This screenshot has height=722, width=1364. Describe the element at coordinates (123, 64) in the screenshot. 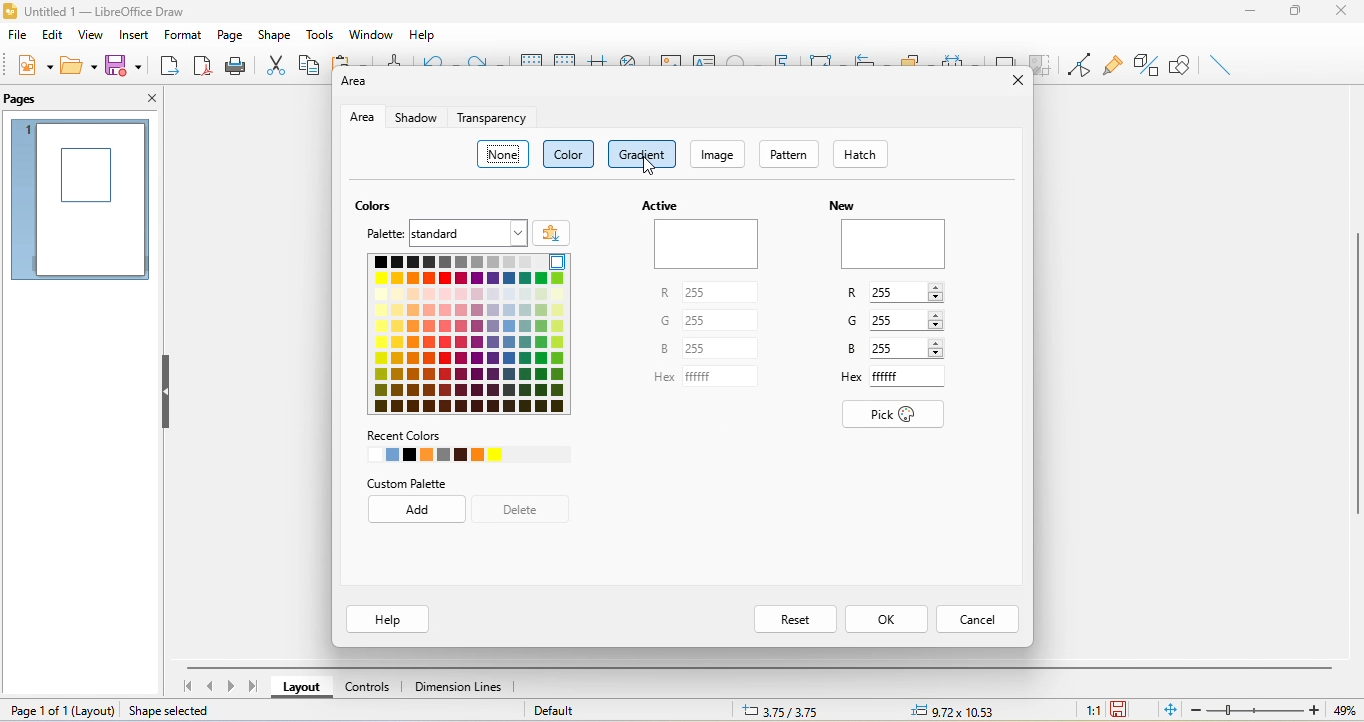

I see `save` at that location.